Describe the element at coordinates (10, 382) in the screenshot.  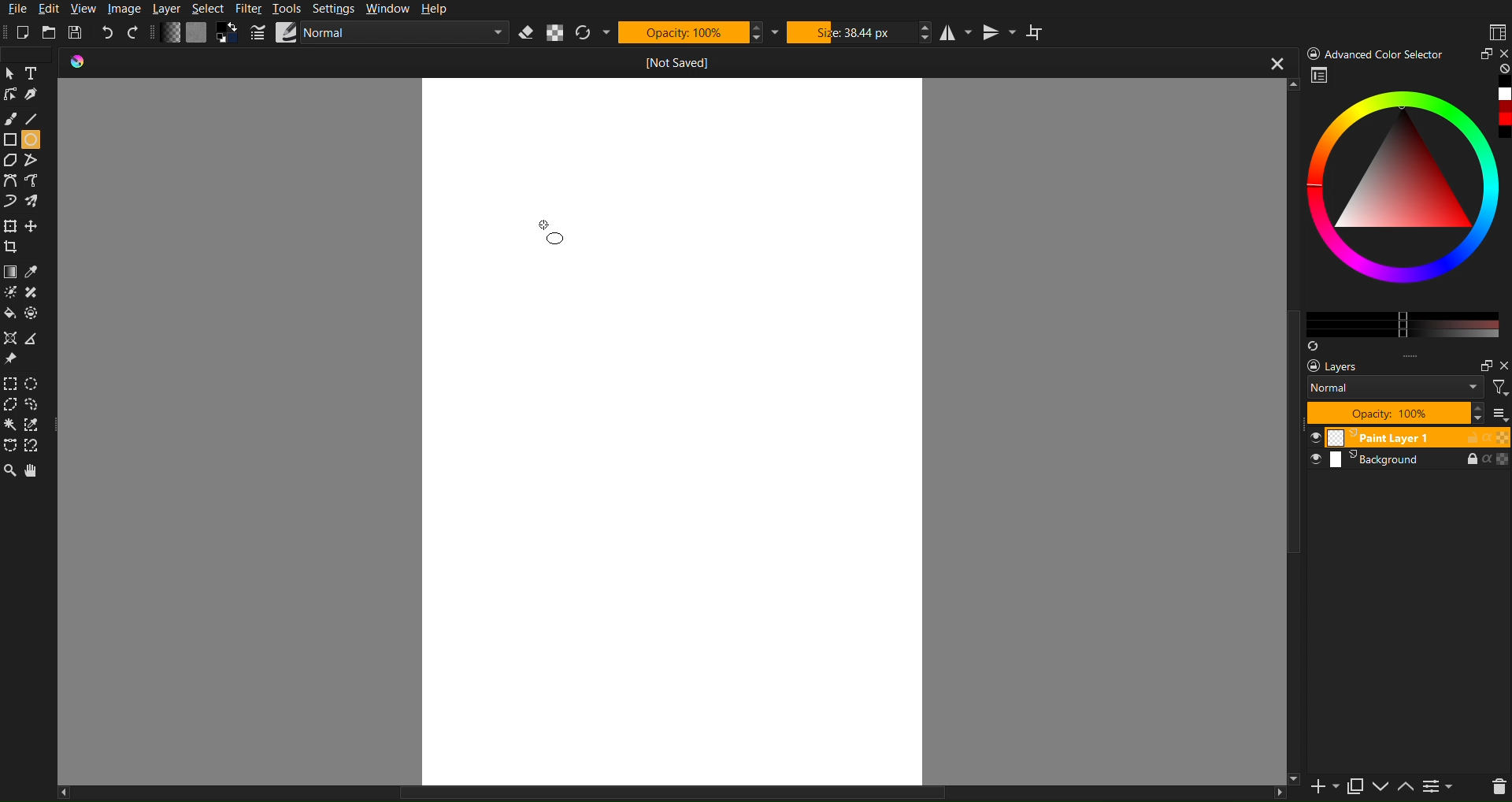
I see `Selection Tools` at that location.